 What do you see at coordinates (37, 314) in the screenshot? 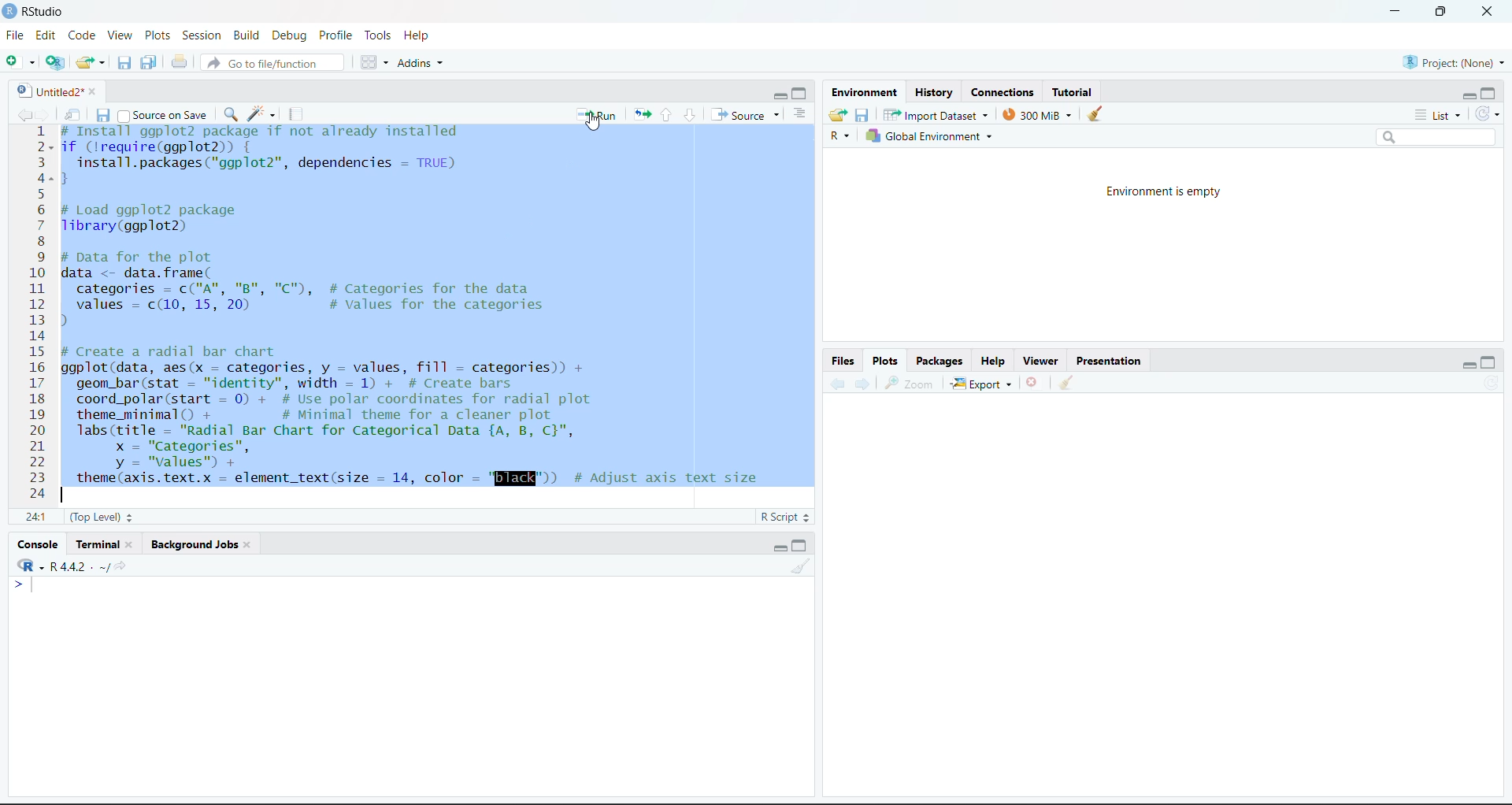
I see `12-34.5678910hi §12hl1415161718192021222324` at bounding box center [37, 314].